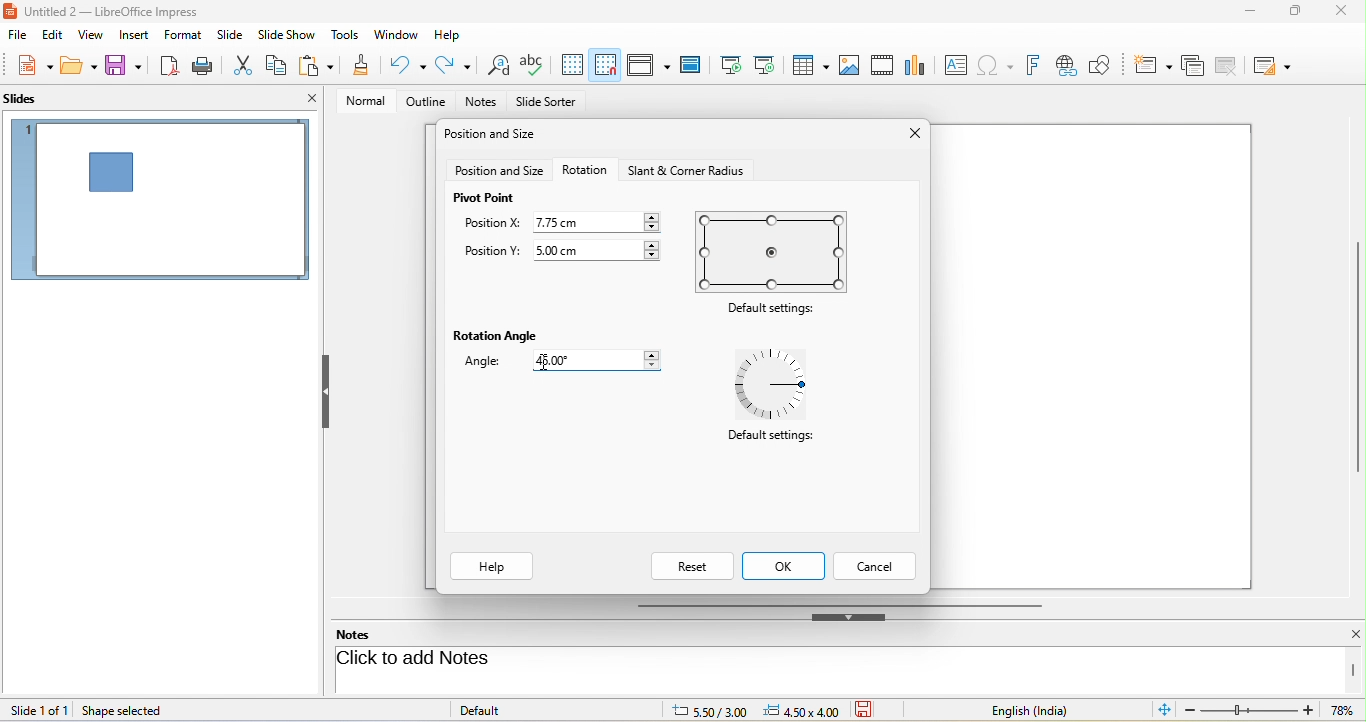  Describe the element at coordinates (695, 65) in the screenshot. I see `master slide` at that location.